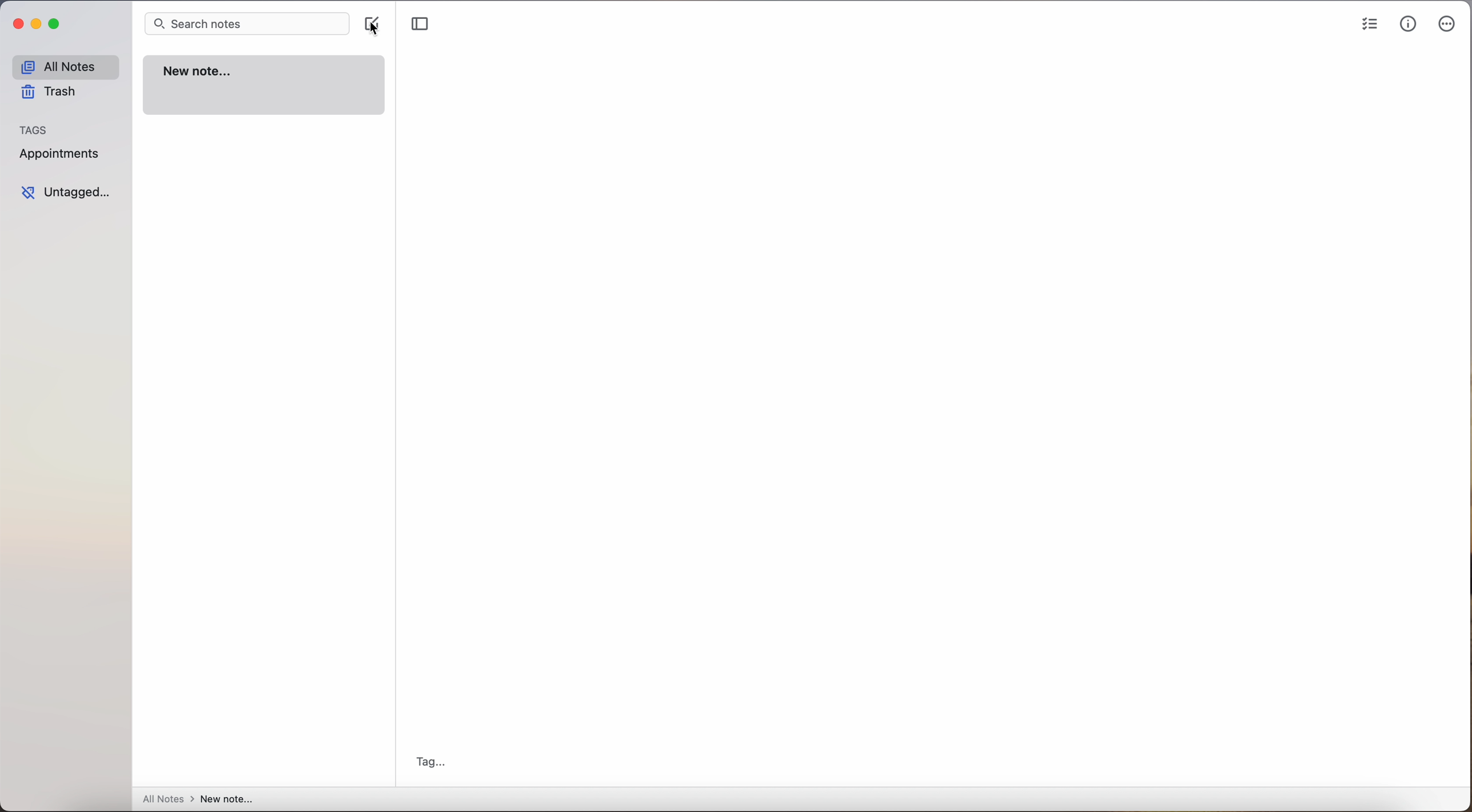 This screenshot has width=1472, height=812. I want to click on all notes, so click(65, 66).